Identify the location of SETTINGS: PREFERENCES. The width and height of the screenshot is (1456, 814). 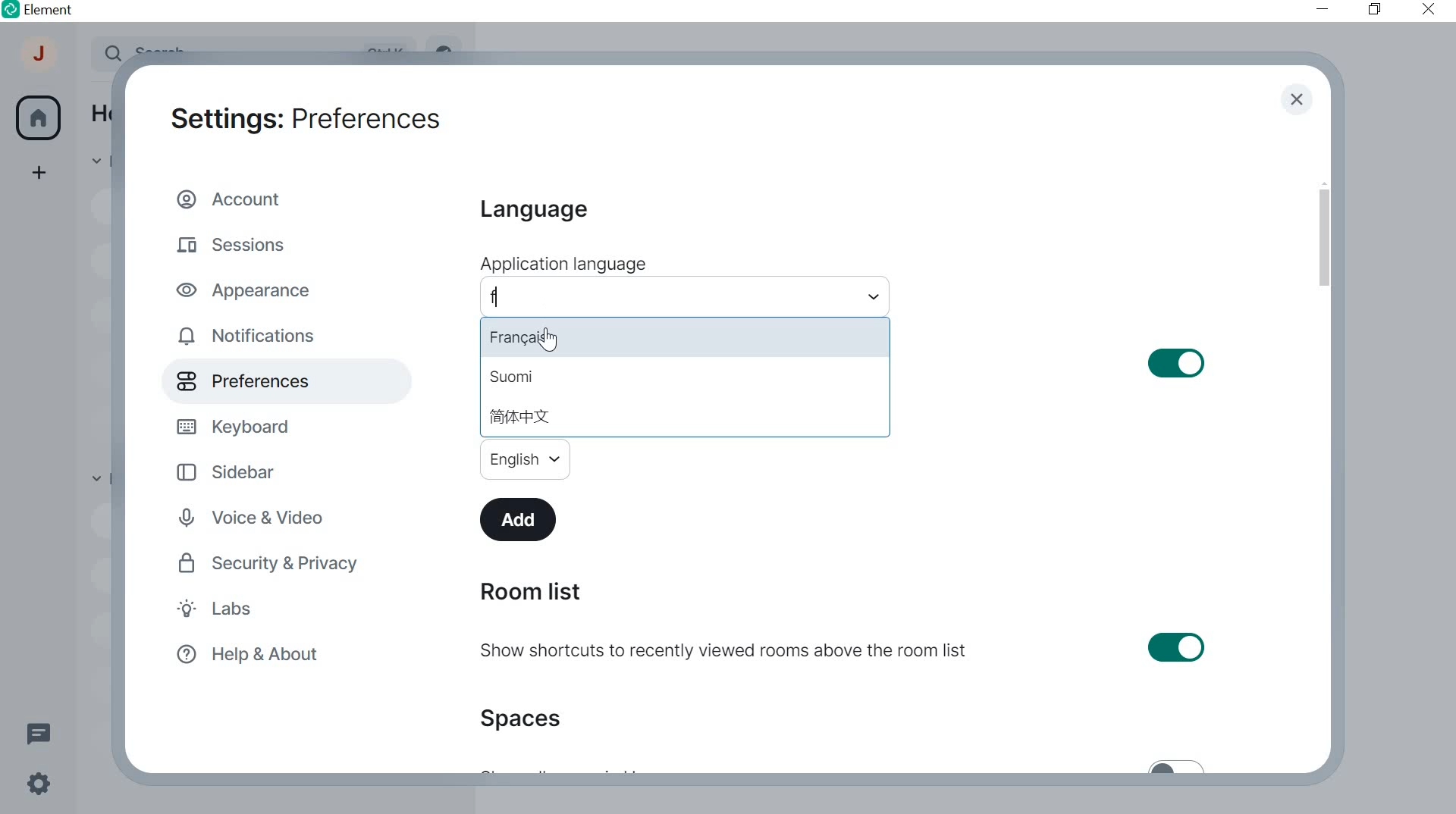
(305, 116).